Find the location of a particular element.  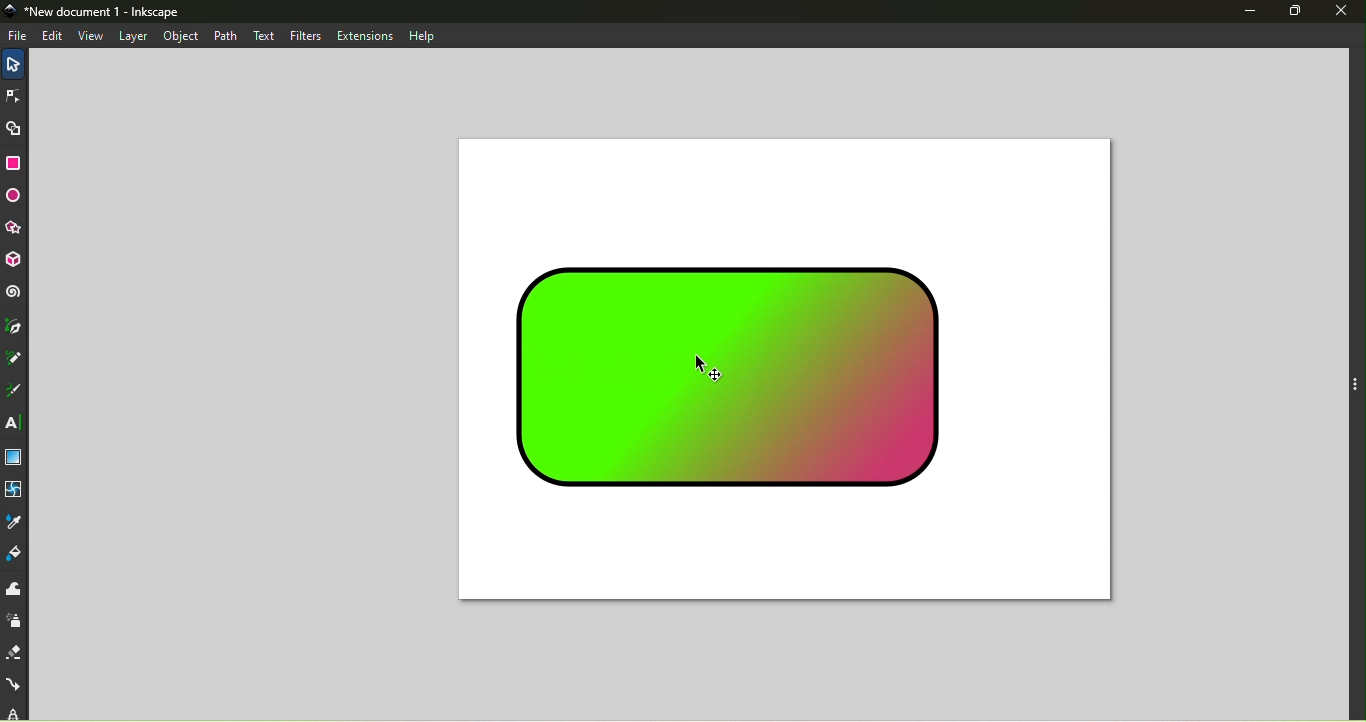

Shape builder tool is located at coordinates (14, 127).